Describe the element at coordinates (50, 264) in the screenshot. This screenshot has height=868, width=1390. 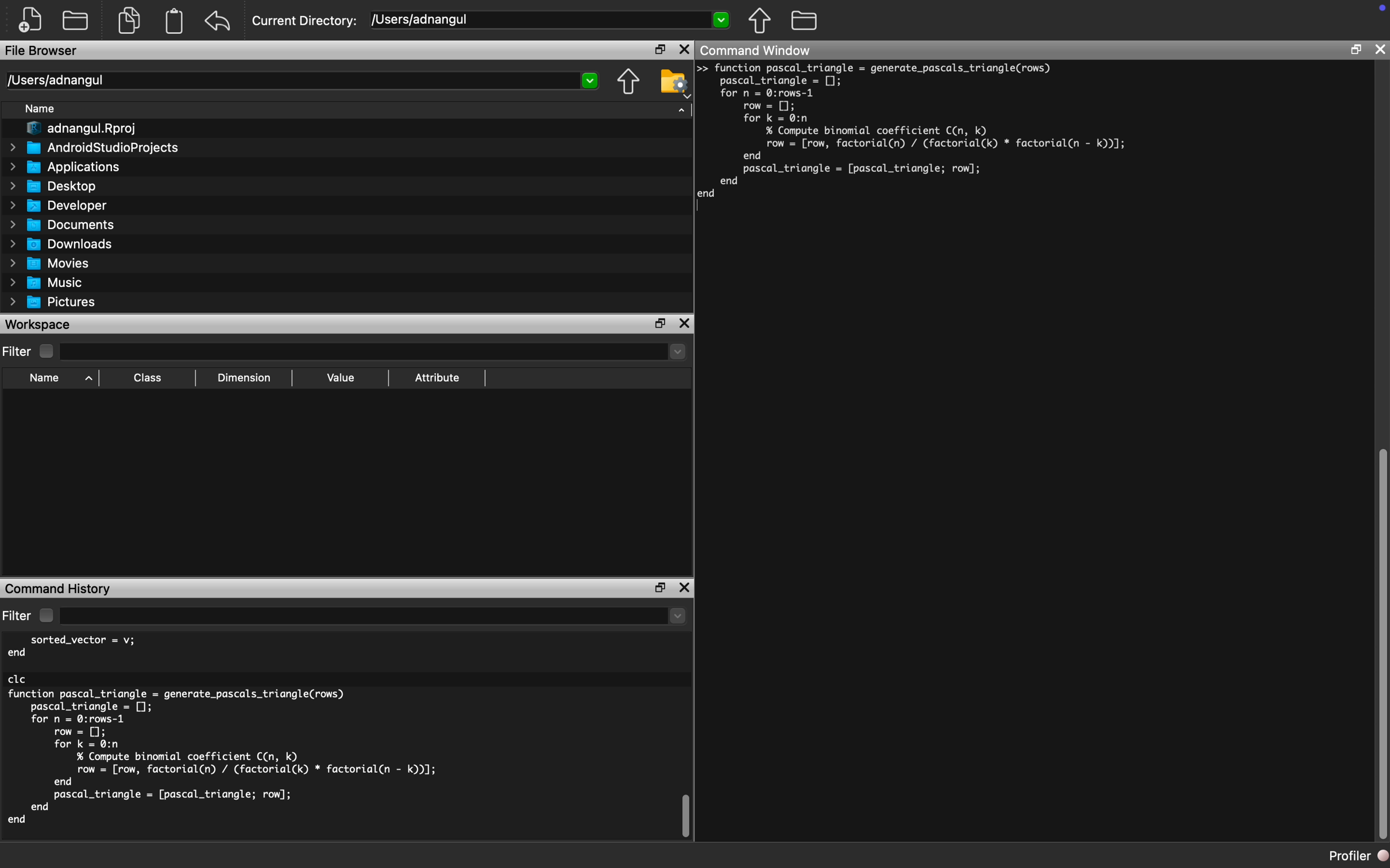
I see `Movies` at that location.